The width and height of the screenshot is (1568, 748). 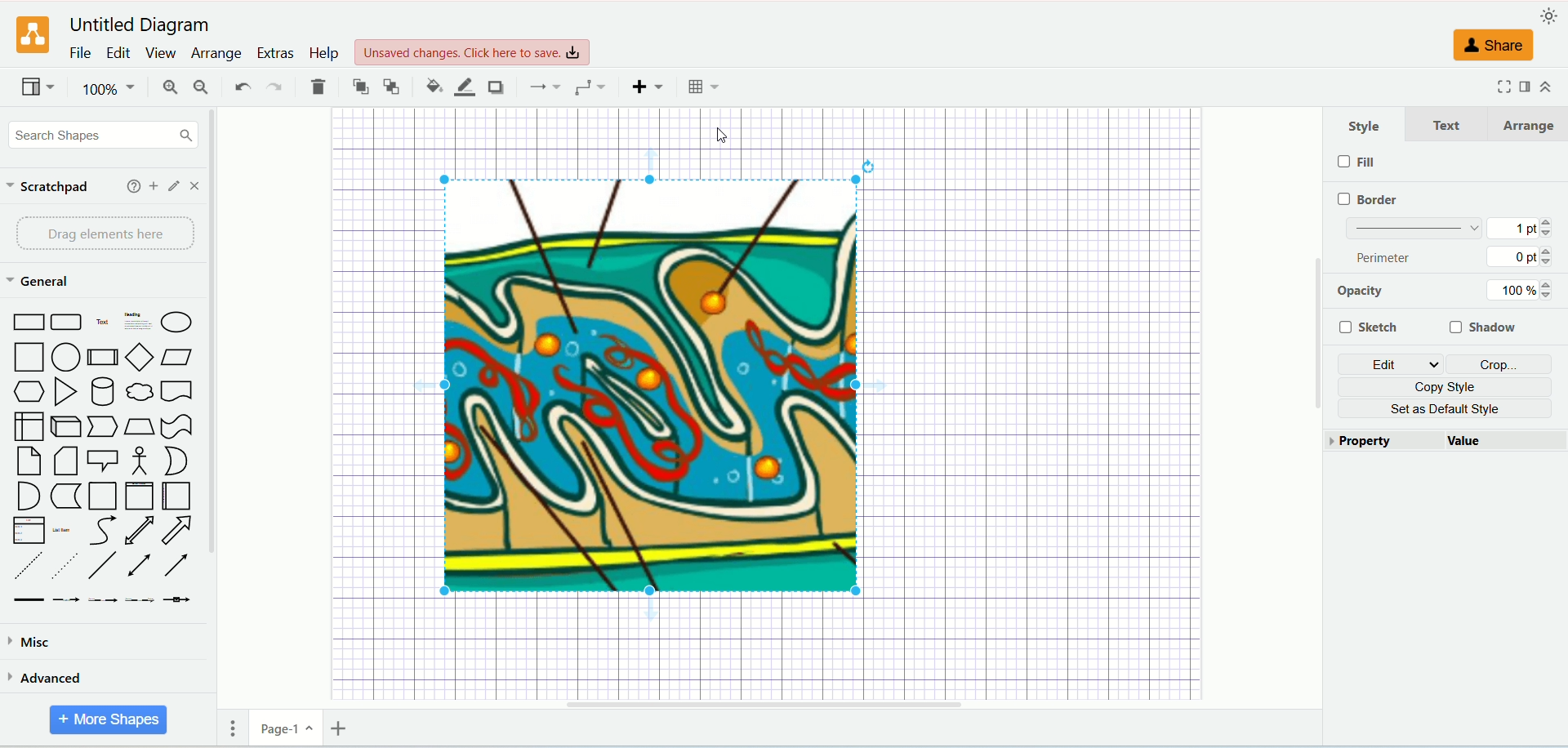 What do you see at coordinates (103, 358) in the screenshot?
I see `Process` at bounding box center [103, 358].